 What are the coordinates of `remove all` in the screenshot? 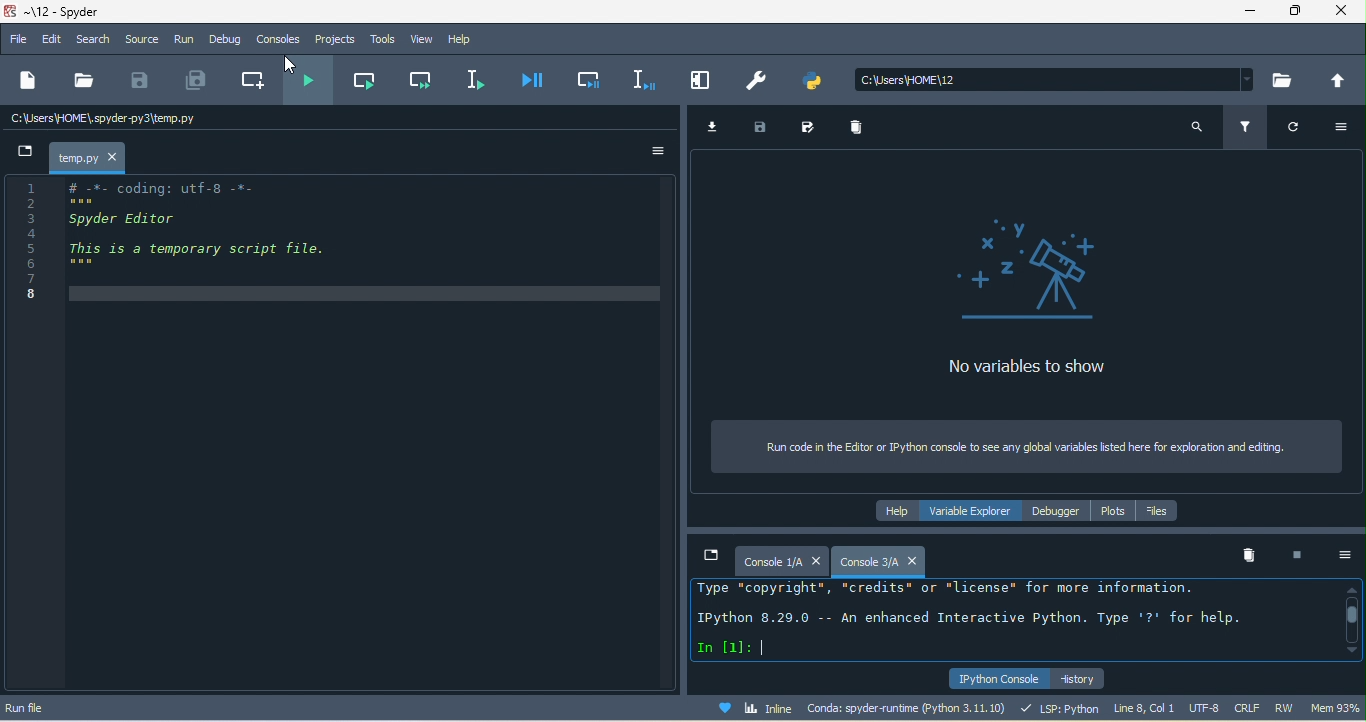 It's located at (1251, 558).